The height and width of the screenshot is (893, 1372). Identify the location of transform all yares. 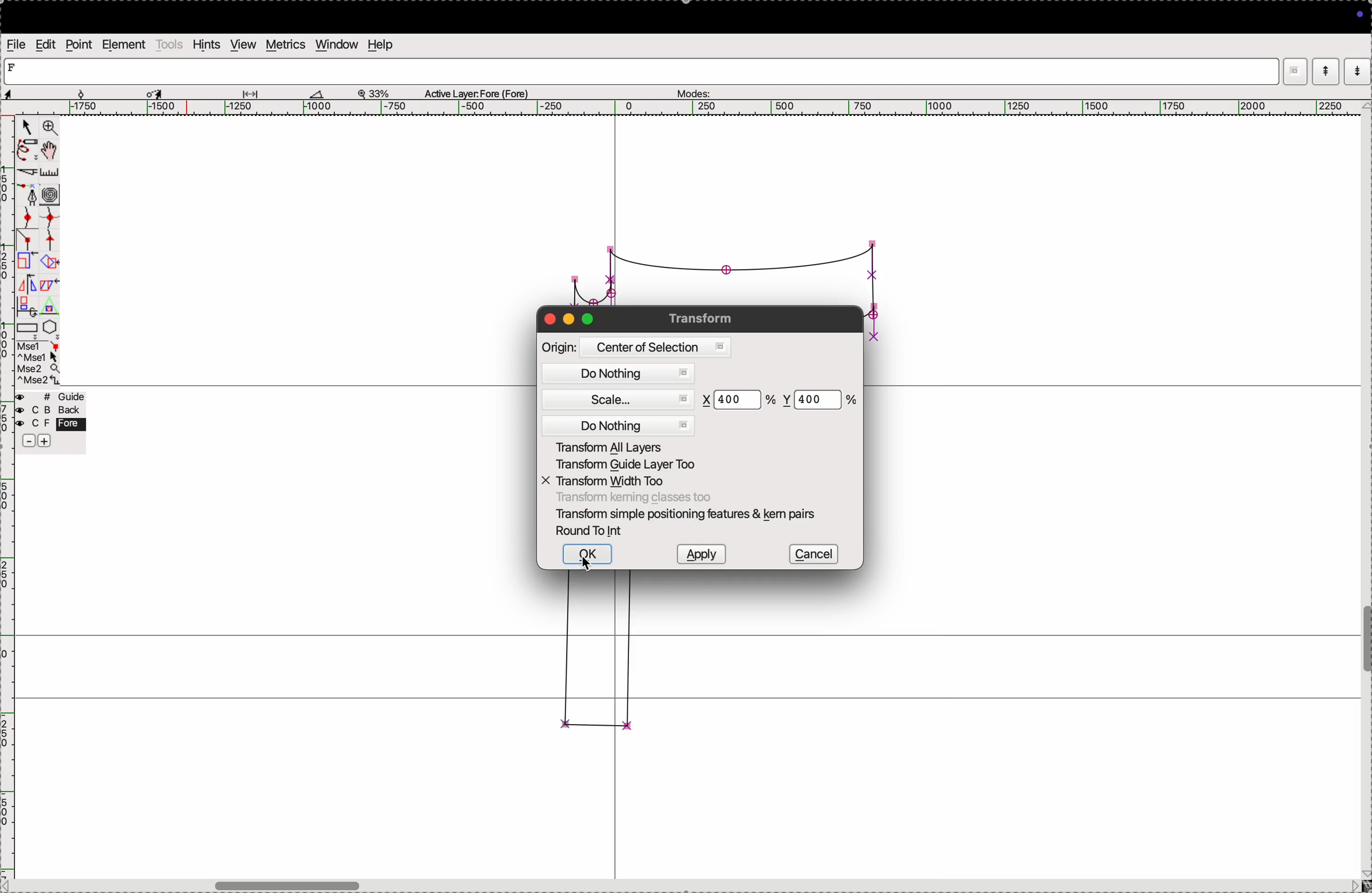
(624, 446).